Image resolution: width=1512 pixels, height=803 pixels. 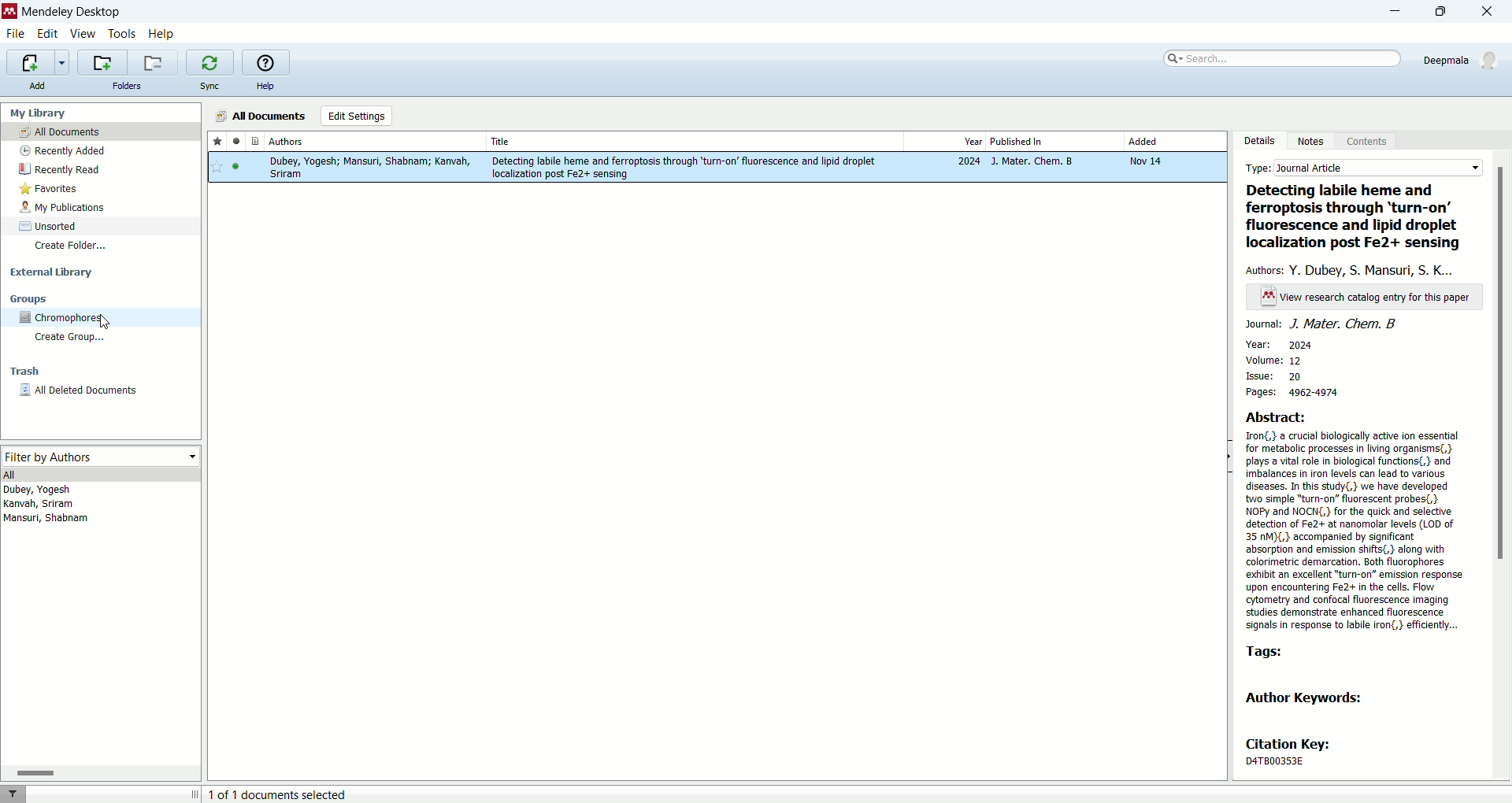 What do you see at coordinates (265, 62) in the screenshot?
I see `help guide for mendeley` at bounding box center [265, 62].